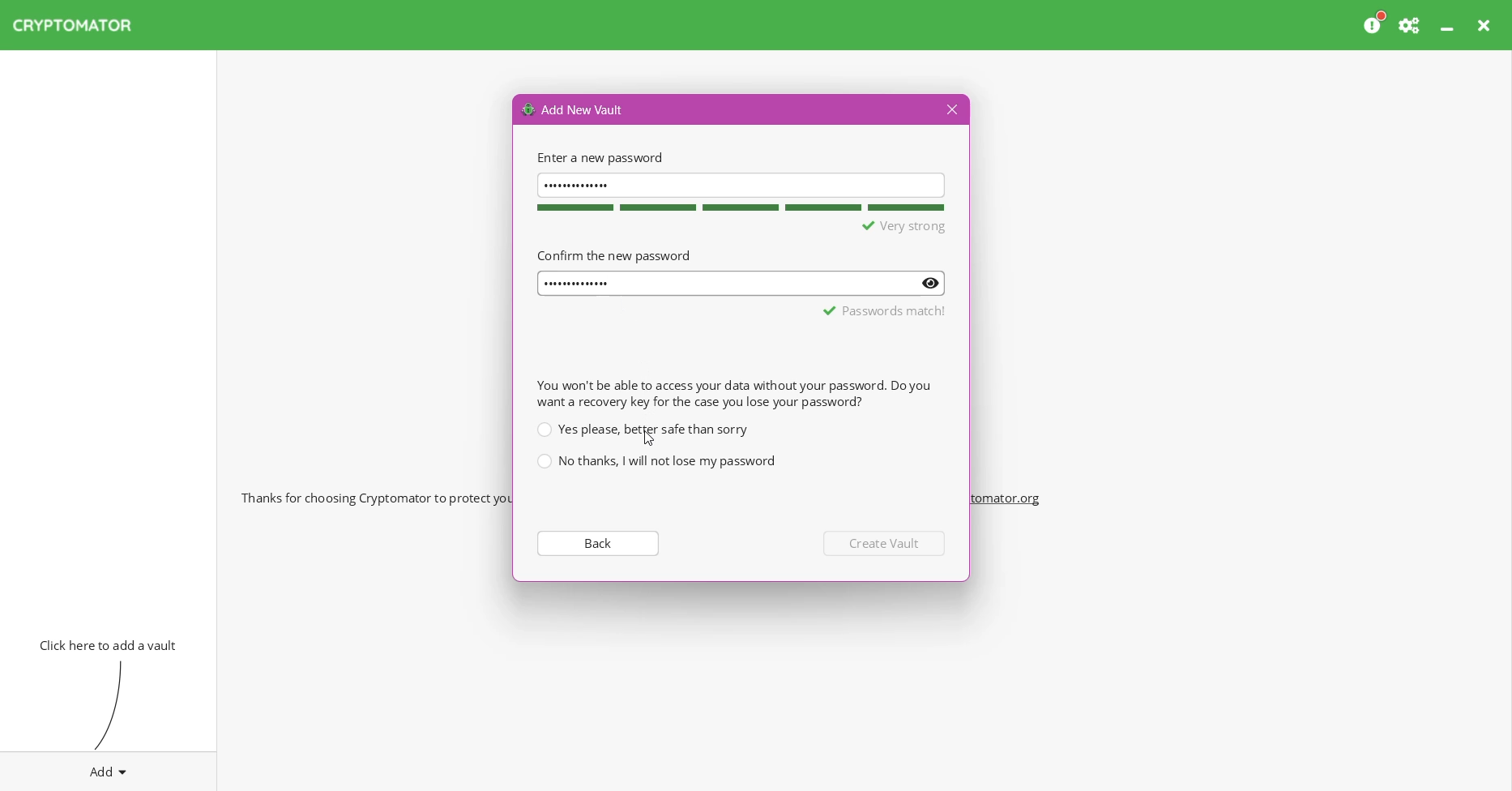  What do you see at coordinates (886, 310) in the screenshot?
I see `Password match` at bounding box center [886, 310].